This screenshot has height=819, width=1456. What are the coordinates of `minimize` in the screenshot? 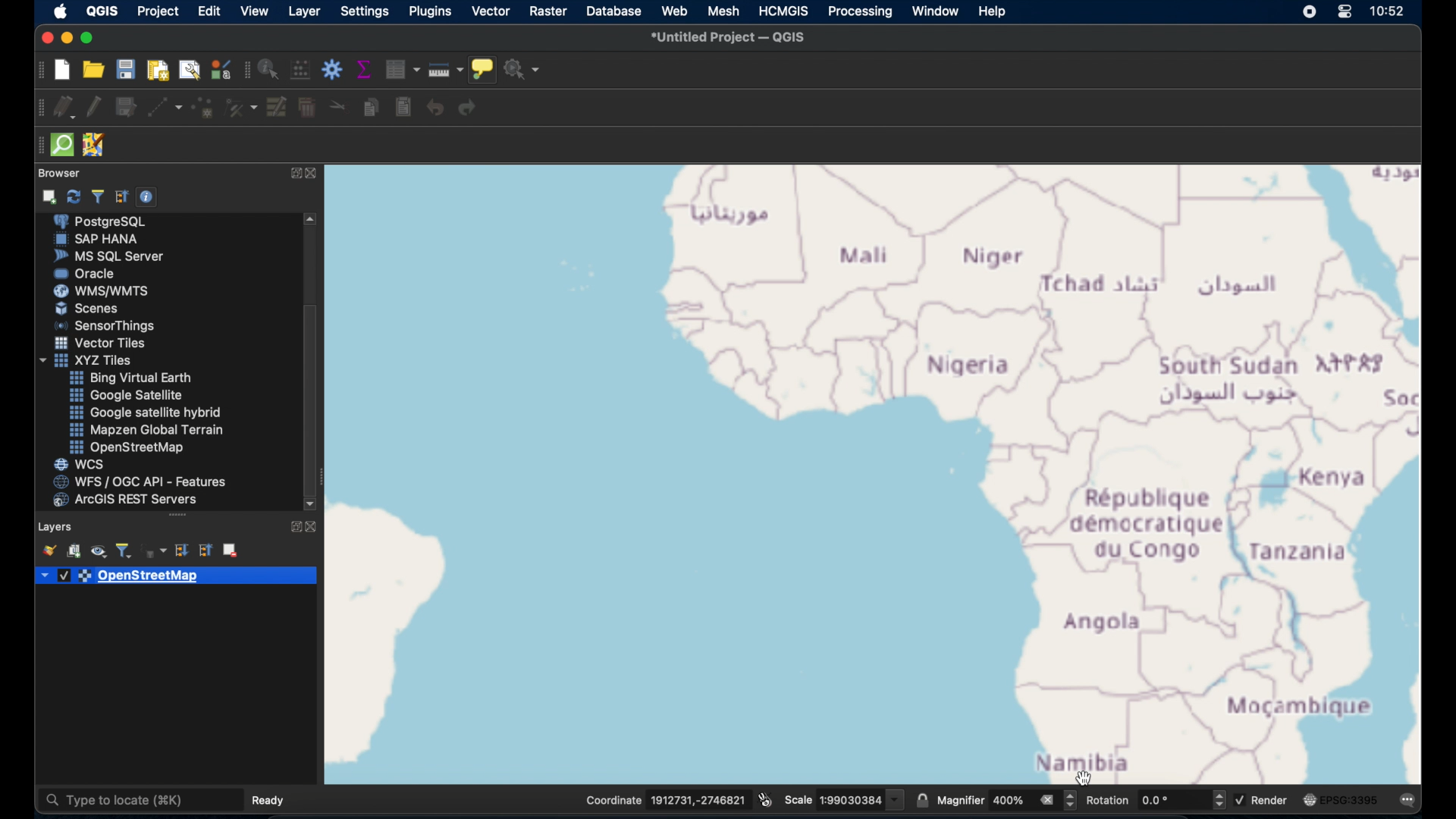 It's located at (67, 38).